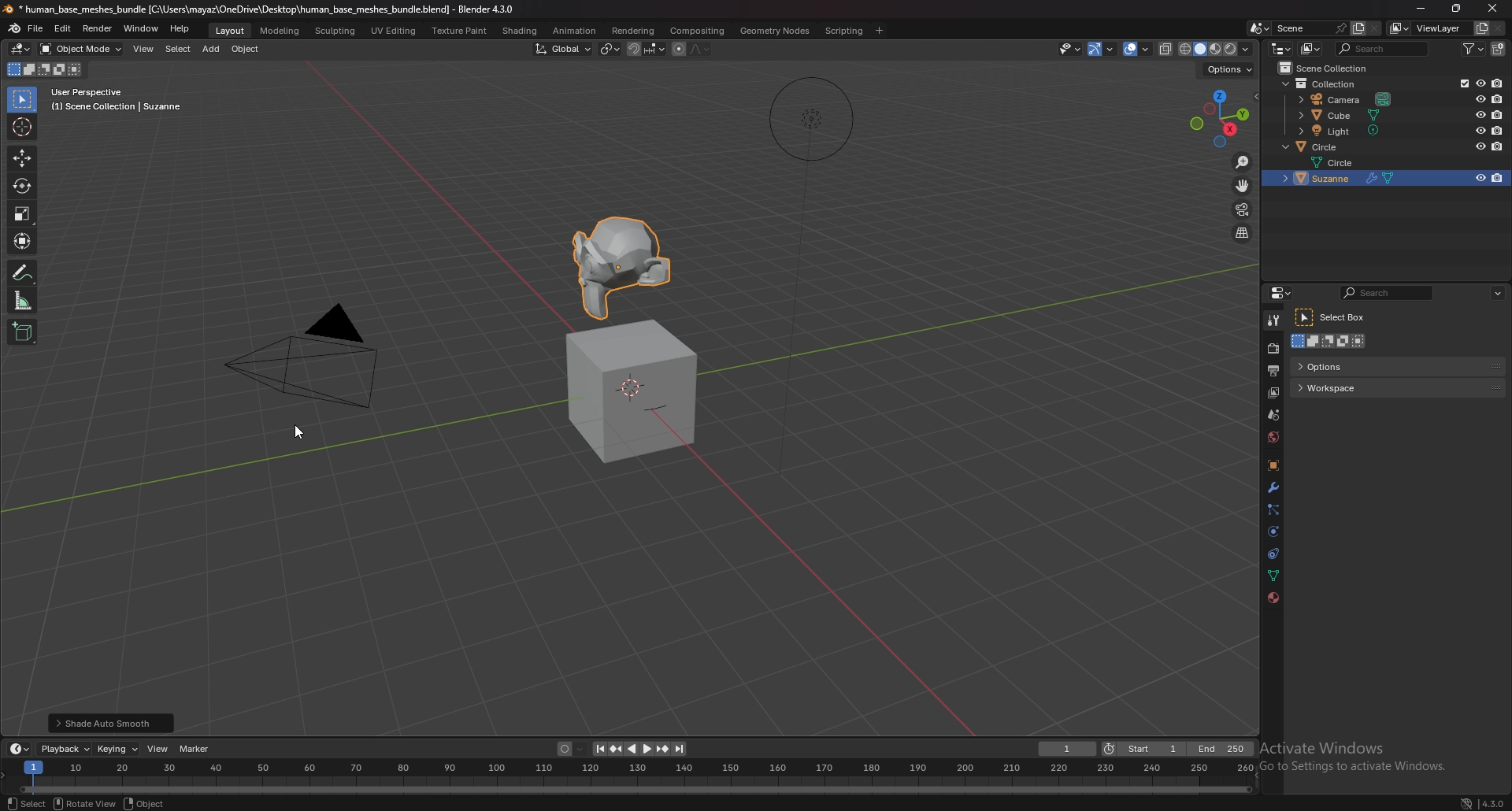 The height and width of the screenshot is (811, 1512). Describe the element at coordinates (622, 266) in the screenshot. I see `suzanne` at that location.